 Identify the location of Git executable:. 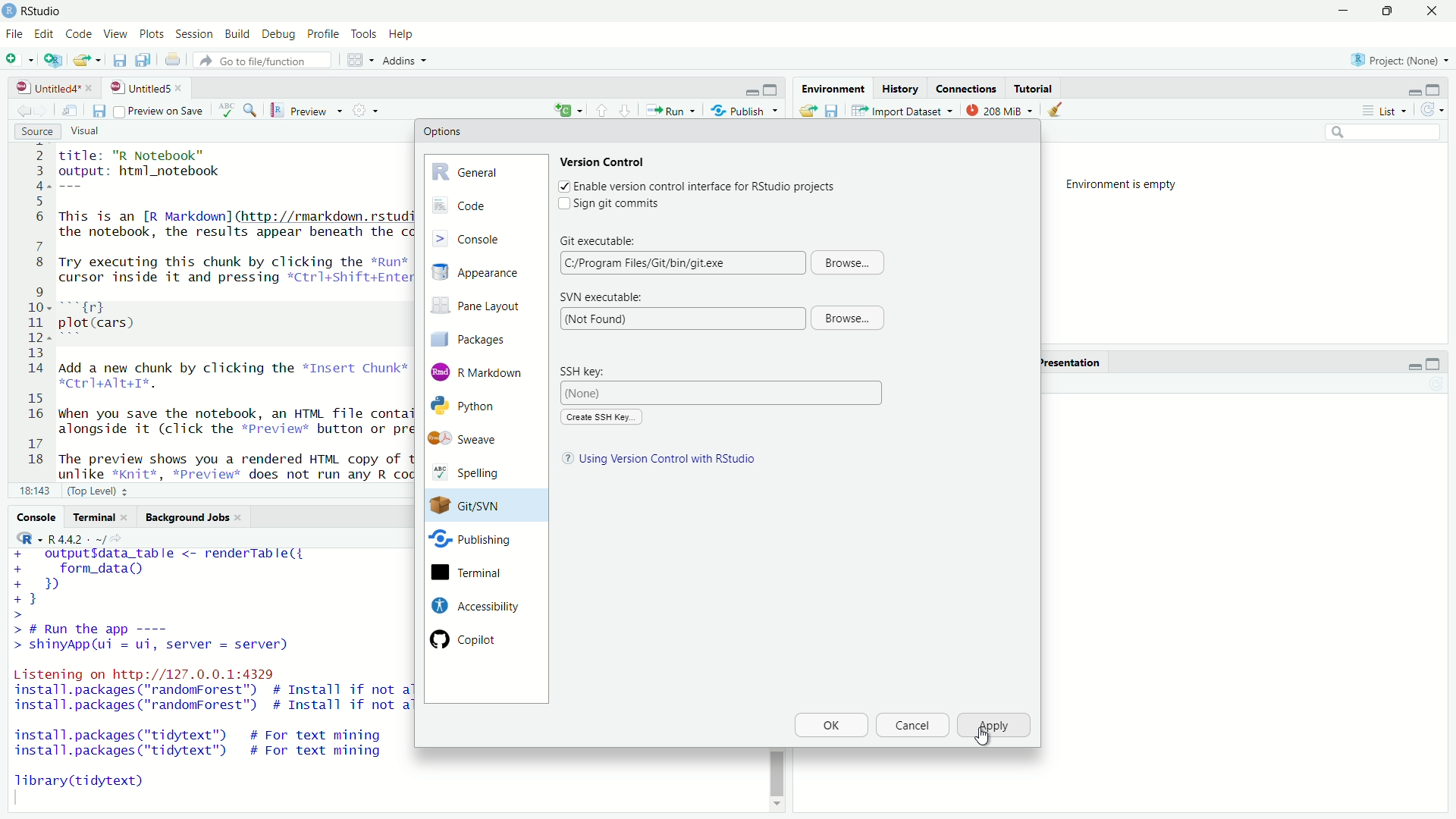
(599, 239).